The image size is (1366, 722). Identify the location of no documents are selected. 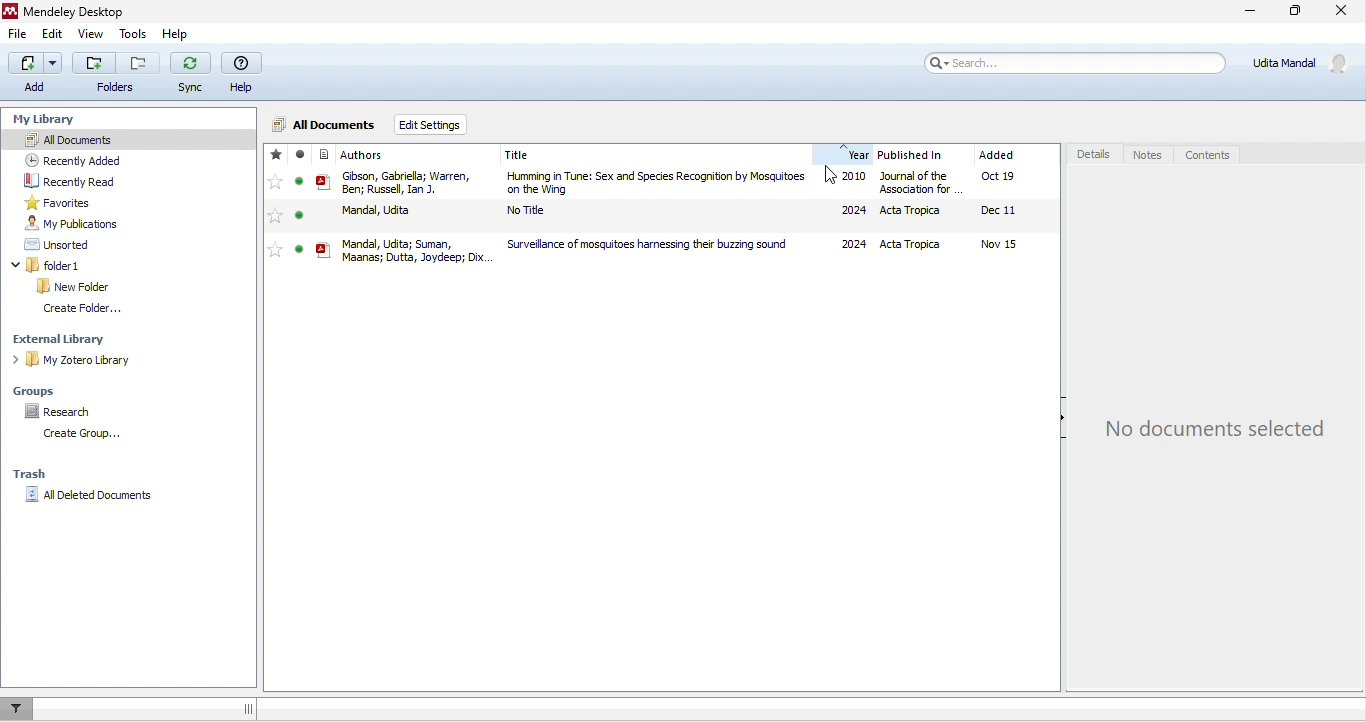
(1222, 428).